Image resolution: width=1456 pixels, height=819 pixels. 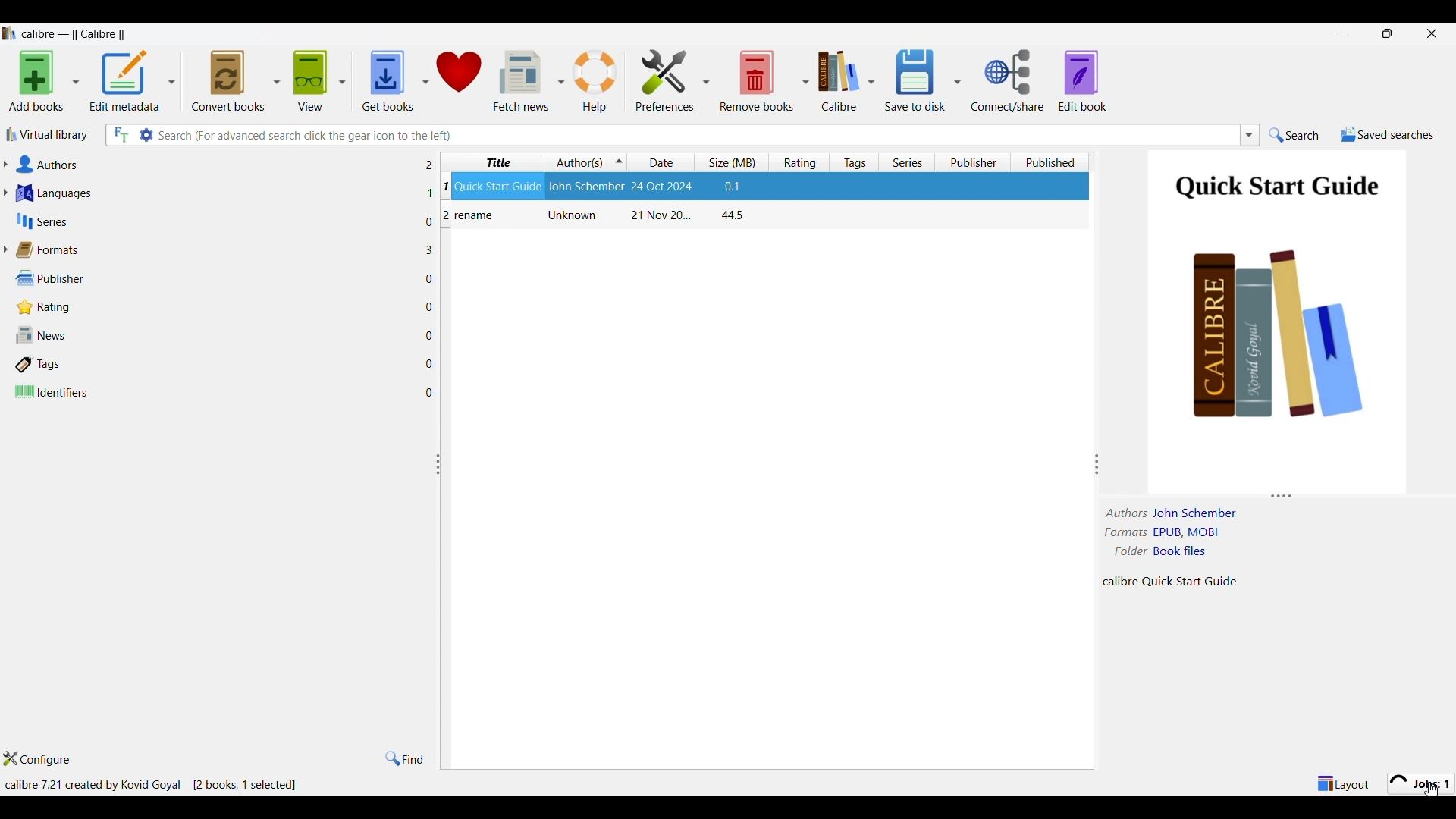 I want to click on List searches, so click(x=1250, y=135).